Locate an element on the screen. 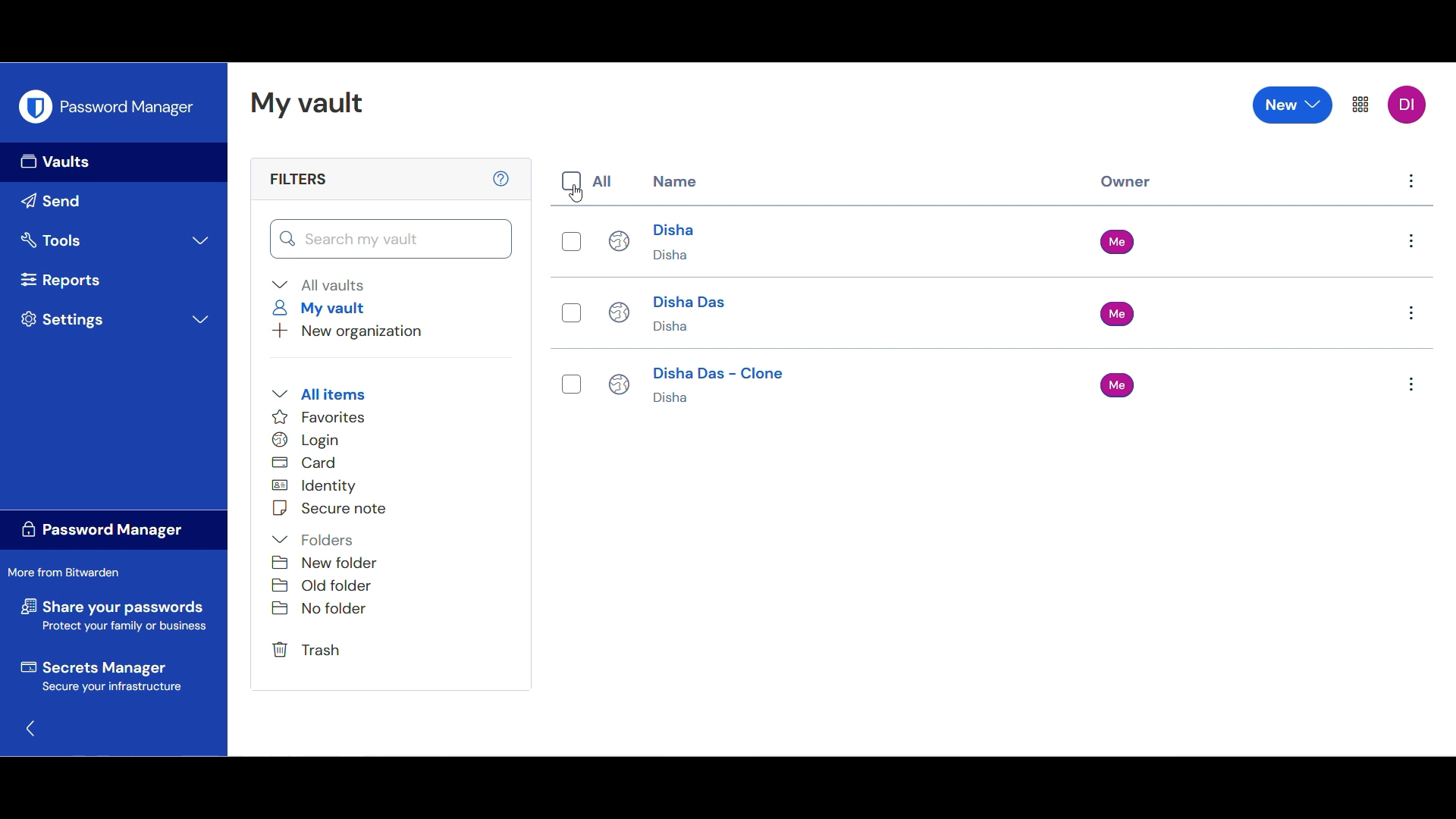 The height and width of the screenshot is (819, 1456). Indicates toggle on/off is located at coordinates (570, 384).